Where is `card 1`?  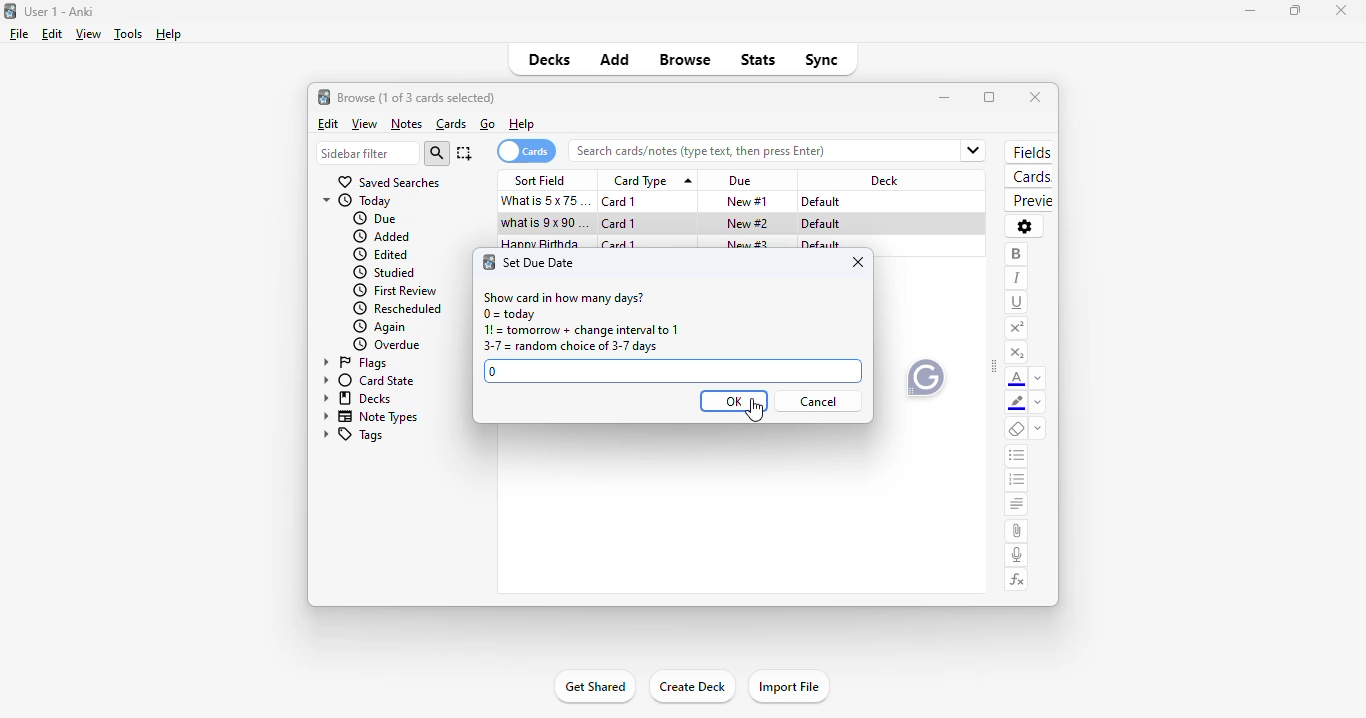
card 1 is located at coordinates (621, 224).